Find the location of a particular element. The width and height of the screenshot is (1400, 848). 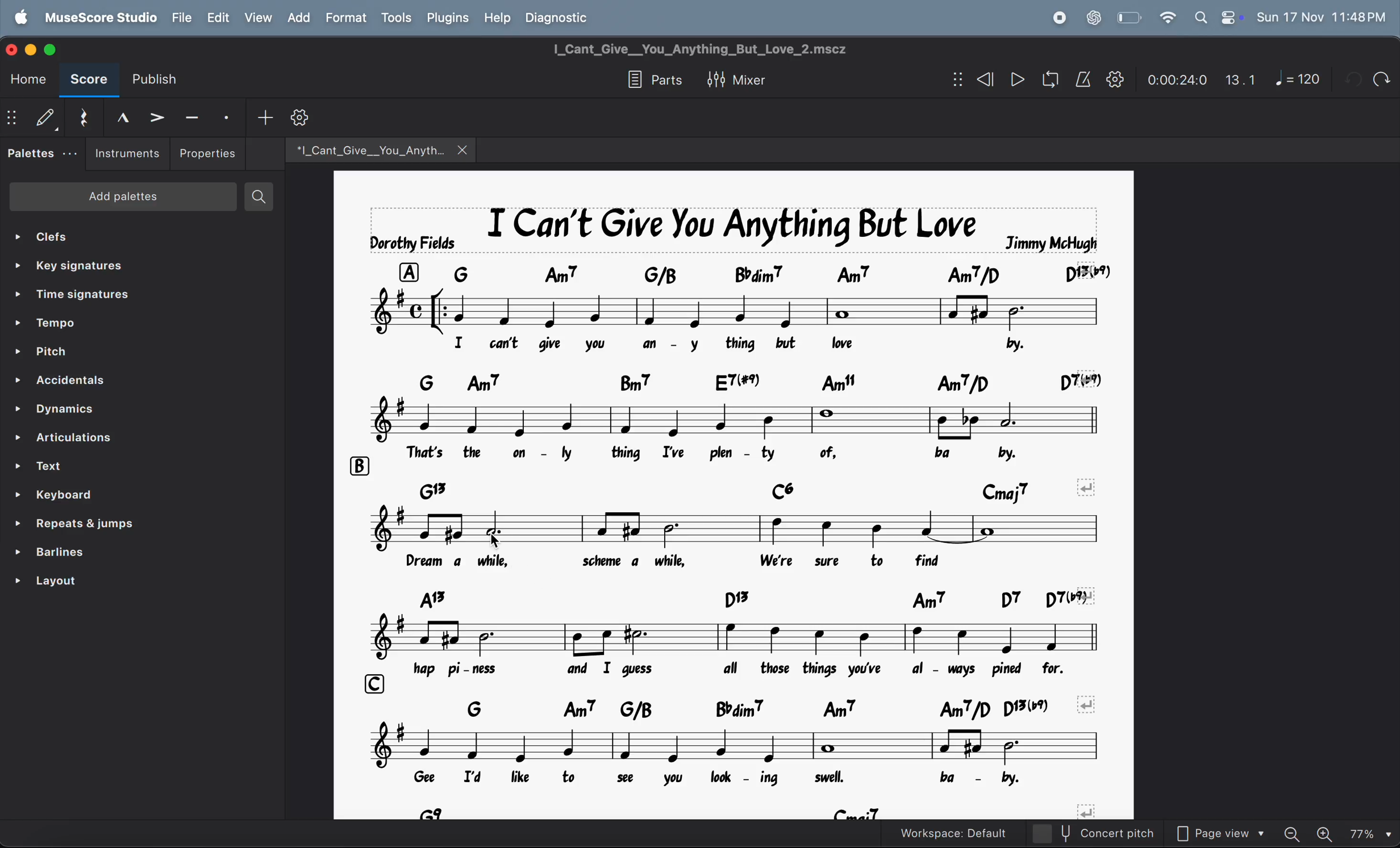

clefs is located at coordinates (126, 236).